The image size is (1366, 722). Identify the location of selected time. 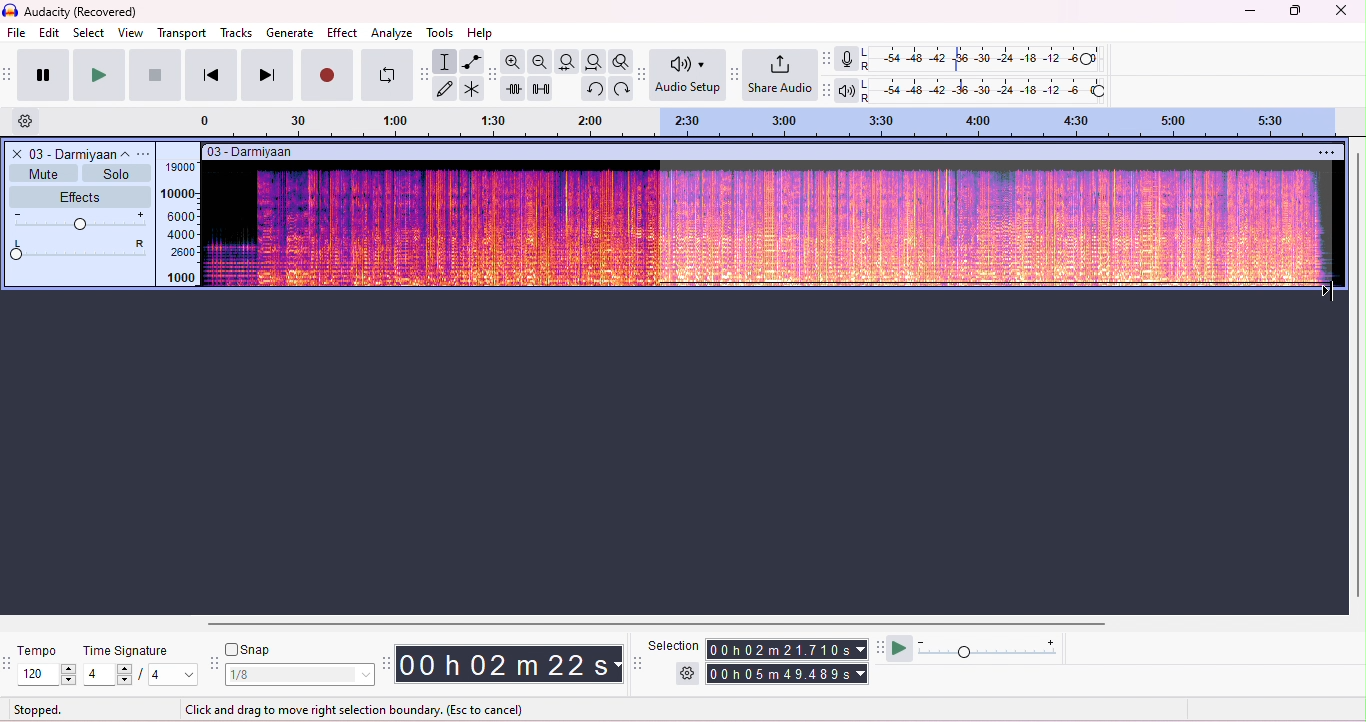
(789, 673).